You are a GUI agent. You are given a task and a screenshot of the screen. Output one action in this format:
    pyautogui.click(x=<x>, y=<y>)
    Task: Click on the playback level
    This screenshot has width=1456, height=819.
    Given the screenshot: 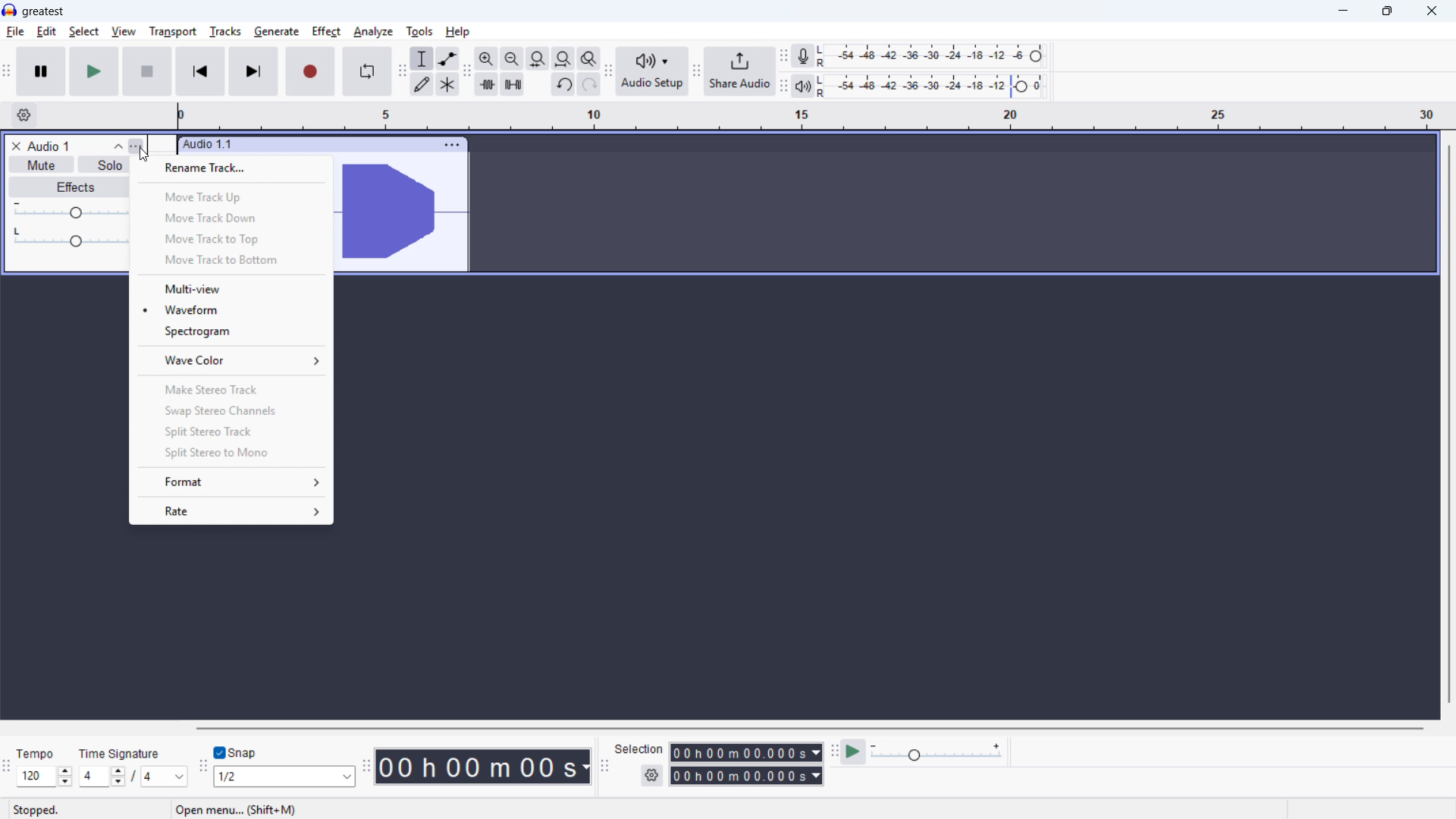 What is the action you would take?
    pyautogui.click(x=936, y=86)
    